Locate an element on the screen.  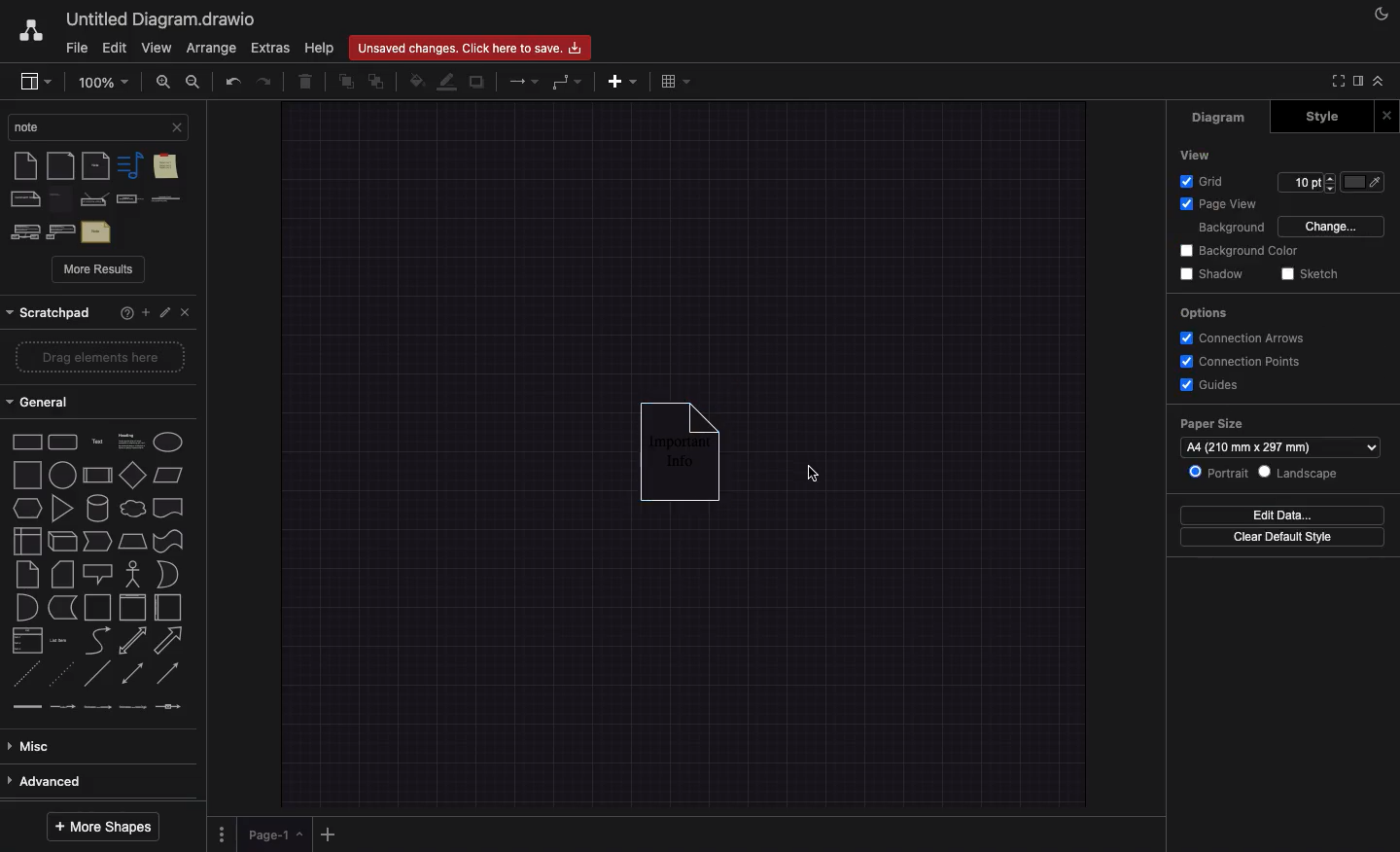
More shapes is located at coordinates (110, 828).